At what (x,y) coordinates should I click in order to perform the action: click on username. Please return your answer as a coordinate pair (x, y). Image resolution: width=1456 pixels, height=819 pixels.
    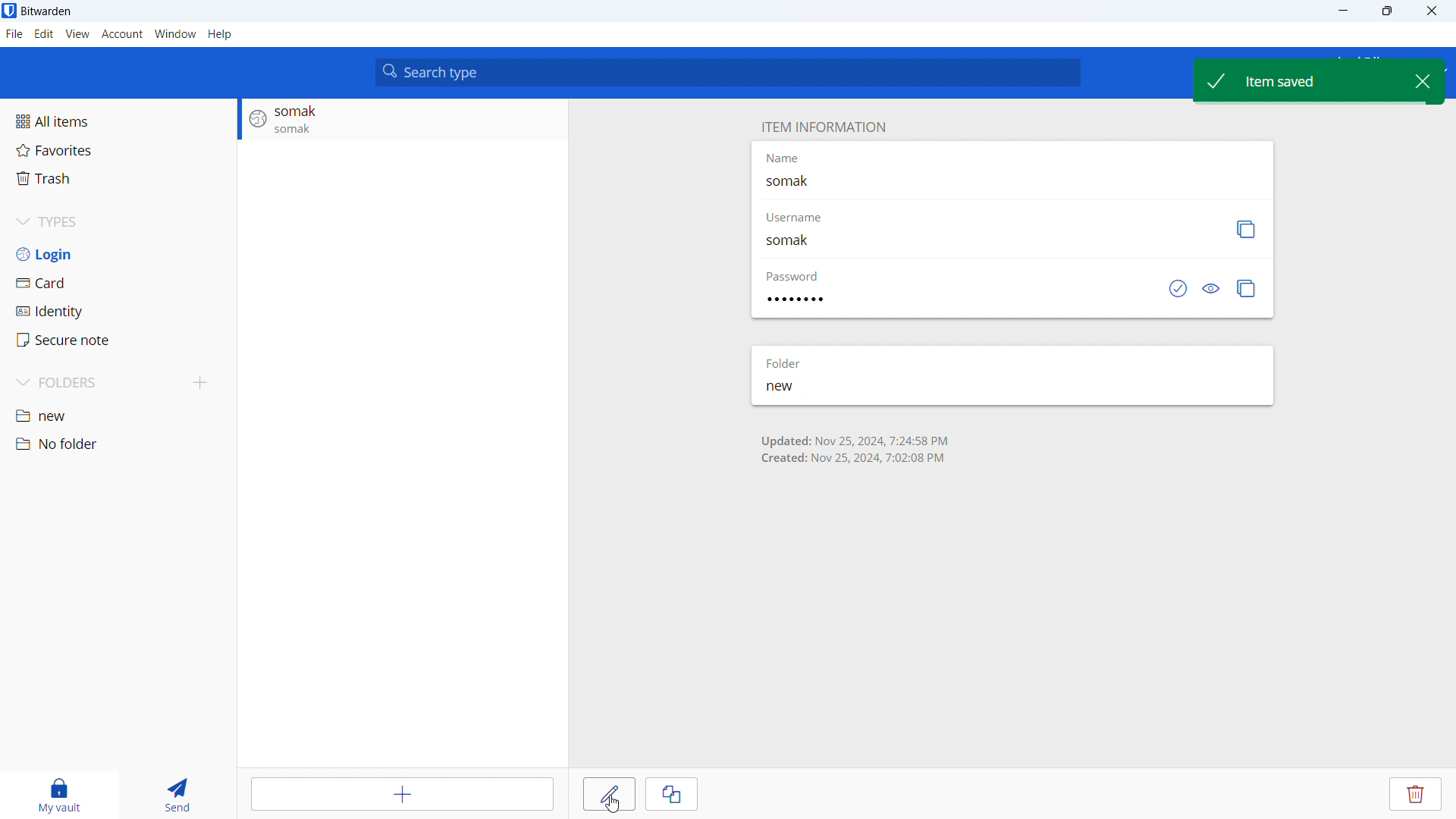
    Looking at the image, I should click on (809, 219).